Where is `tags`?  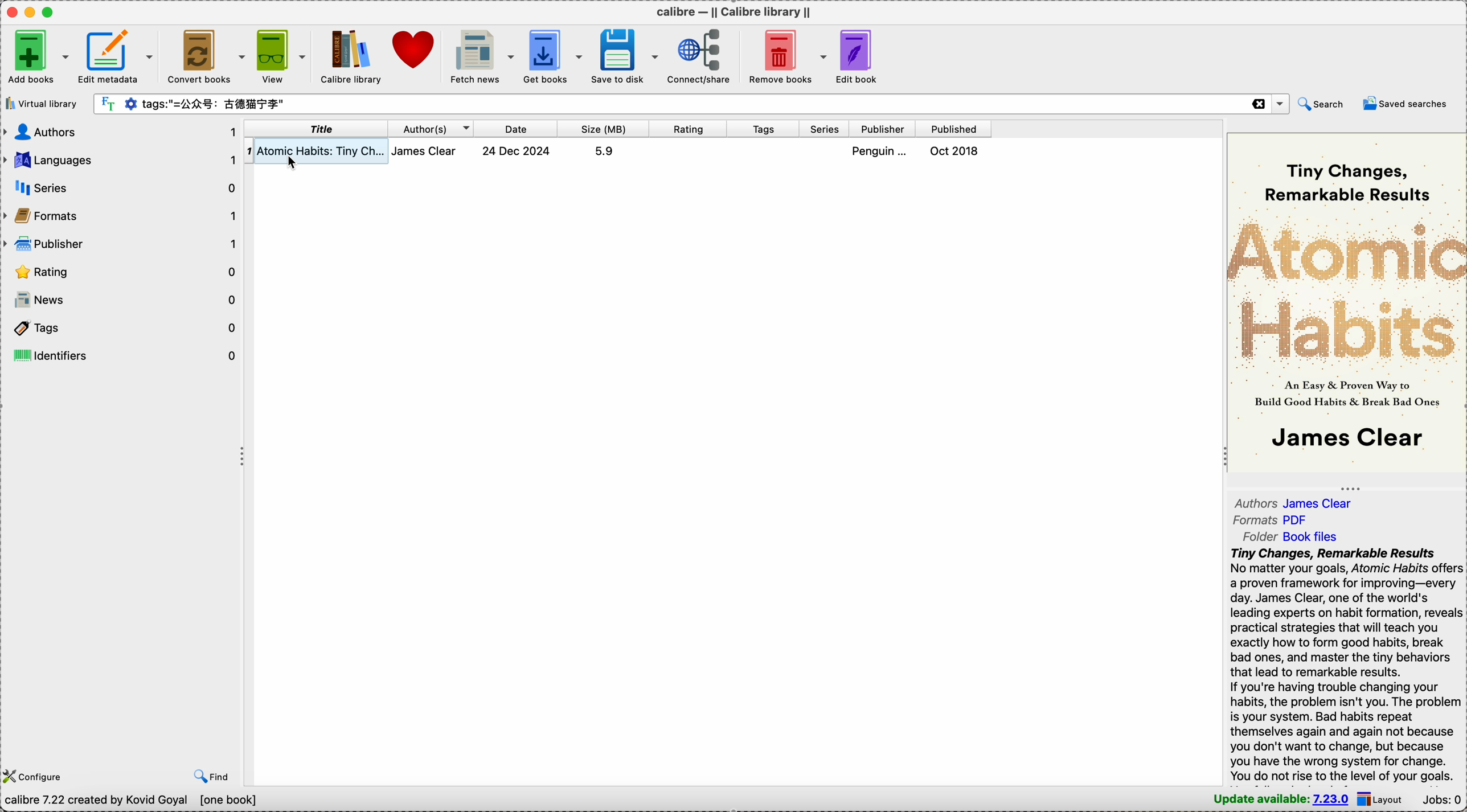
tags is located at coordinates (765, 128).